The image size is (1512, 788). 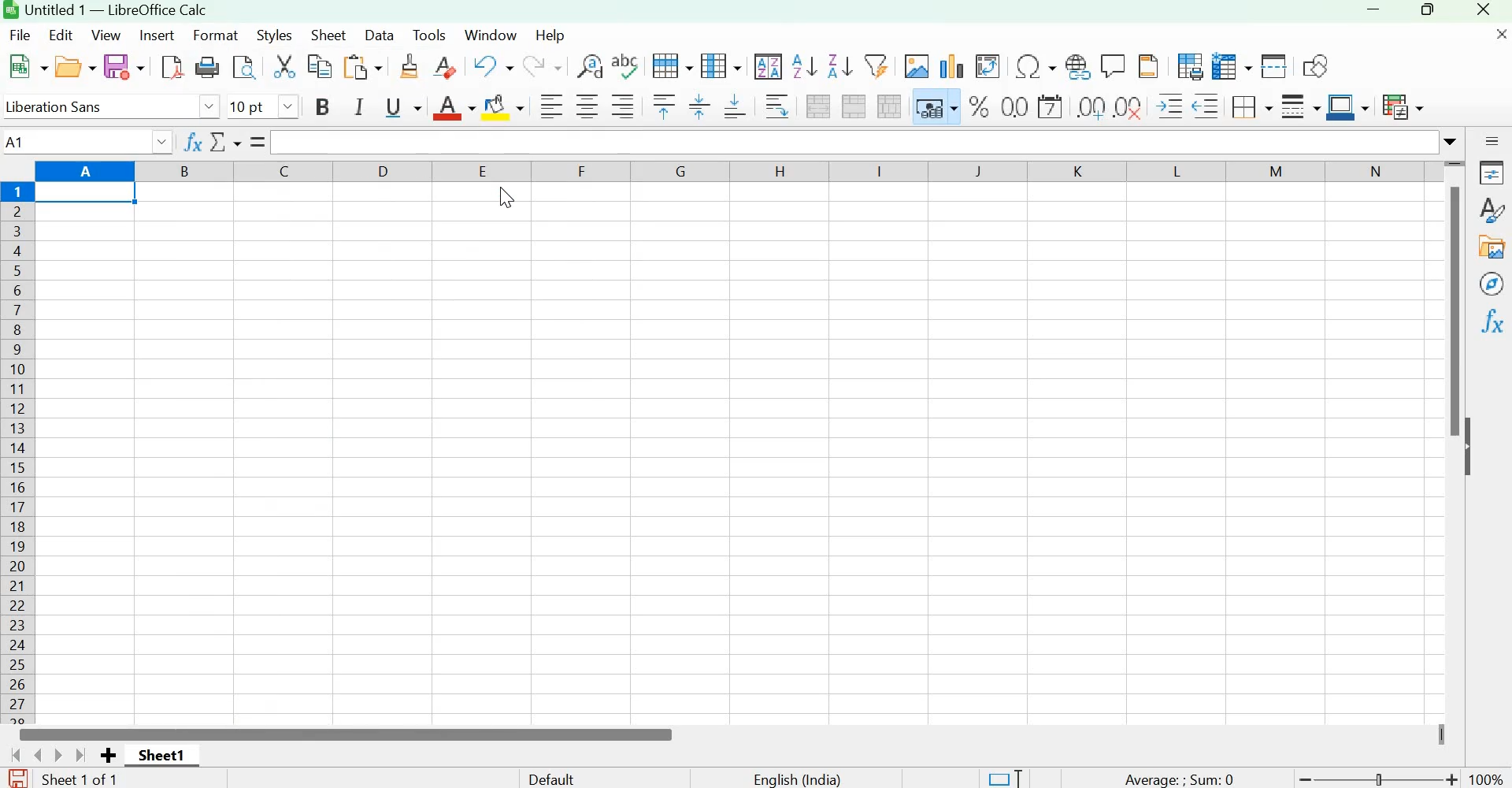 What do you see at coordinates (1454, 779) in the screenshot?
I see `Zoom in` at bounding box center [1454, 779].